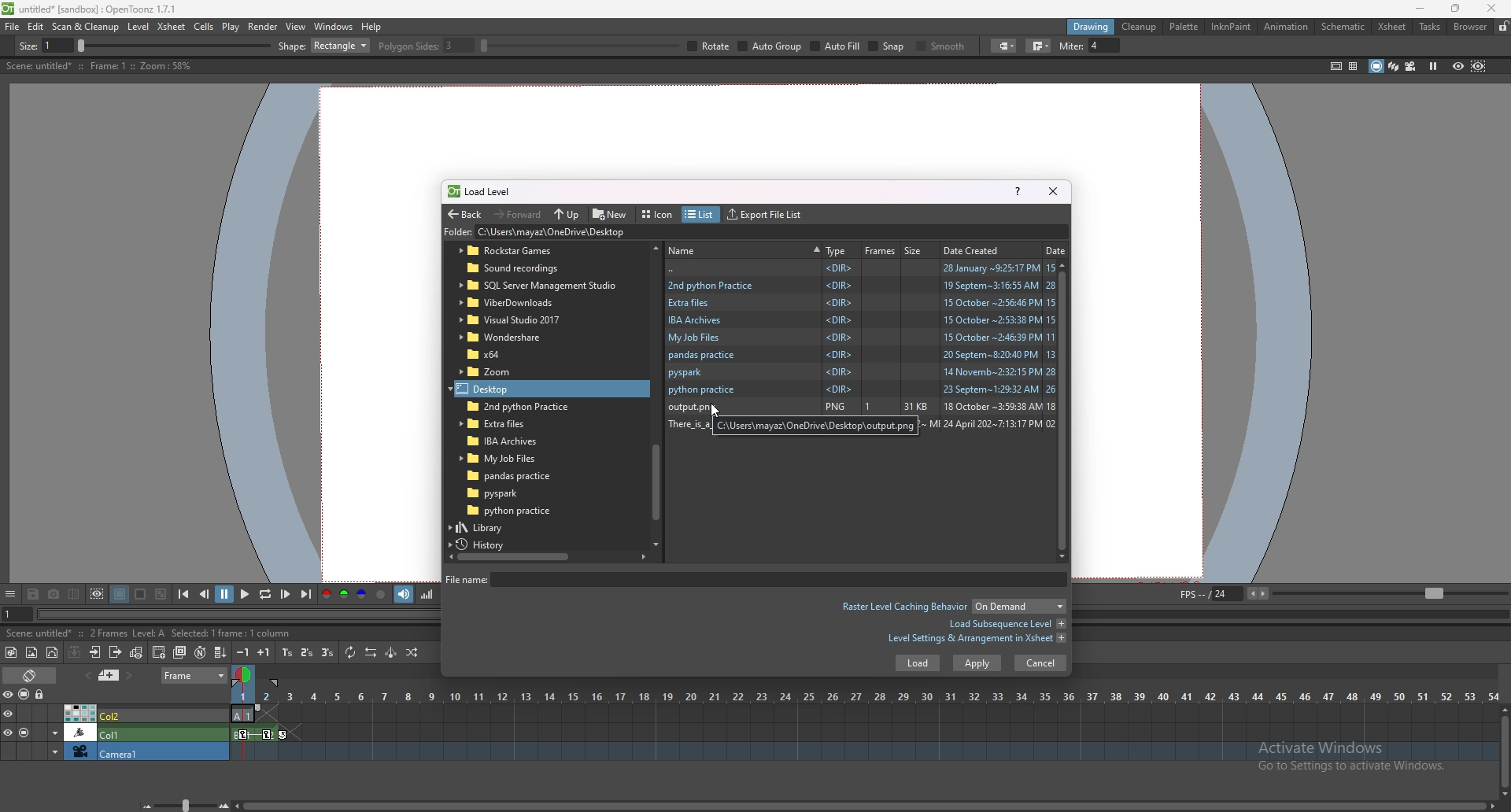  I want to click on level, so click(140, 27).